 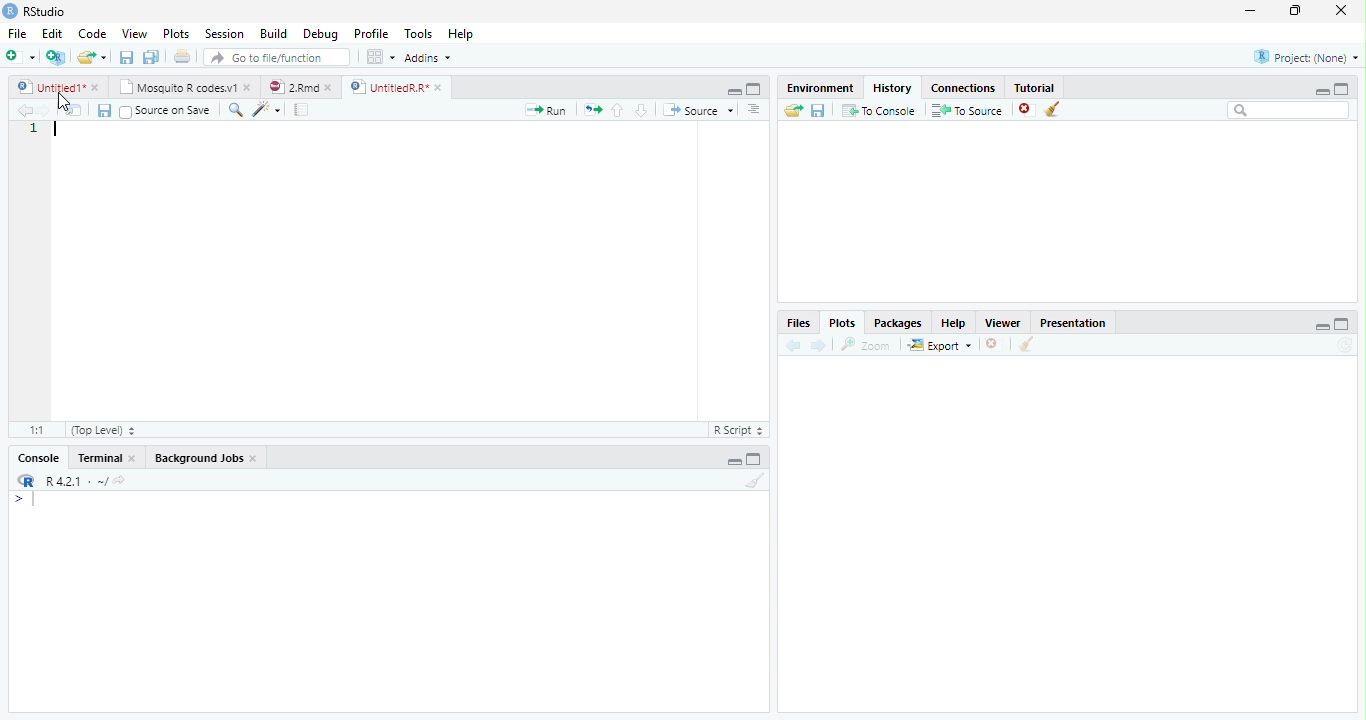 I want to click on close, so click(x=439, y=87).